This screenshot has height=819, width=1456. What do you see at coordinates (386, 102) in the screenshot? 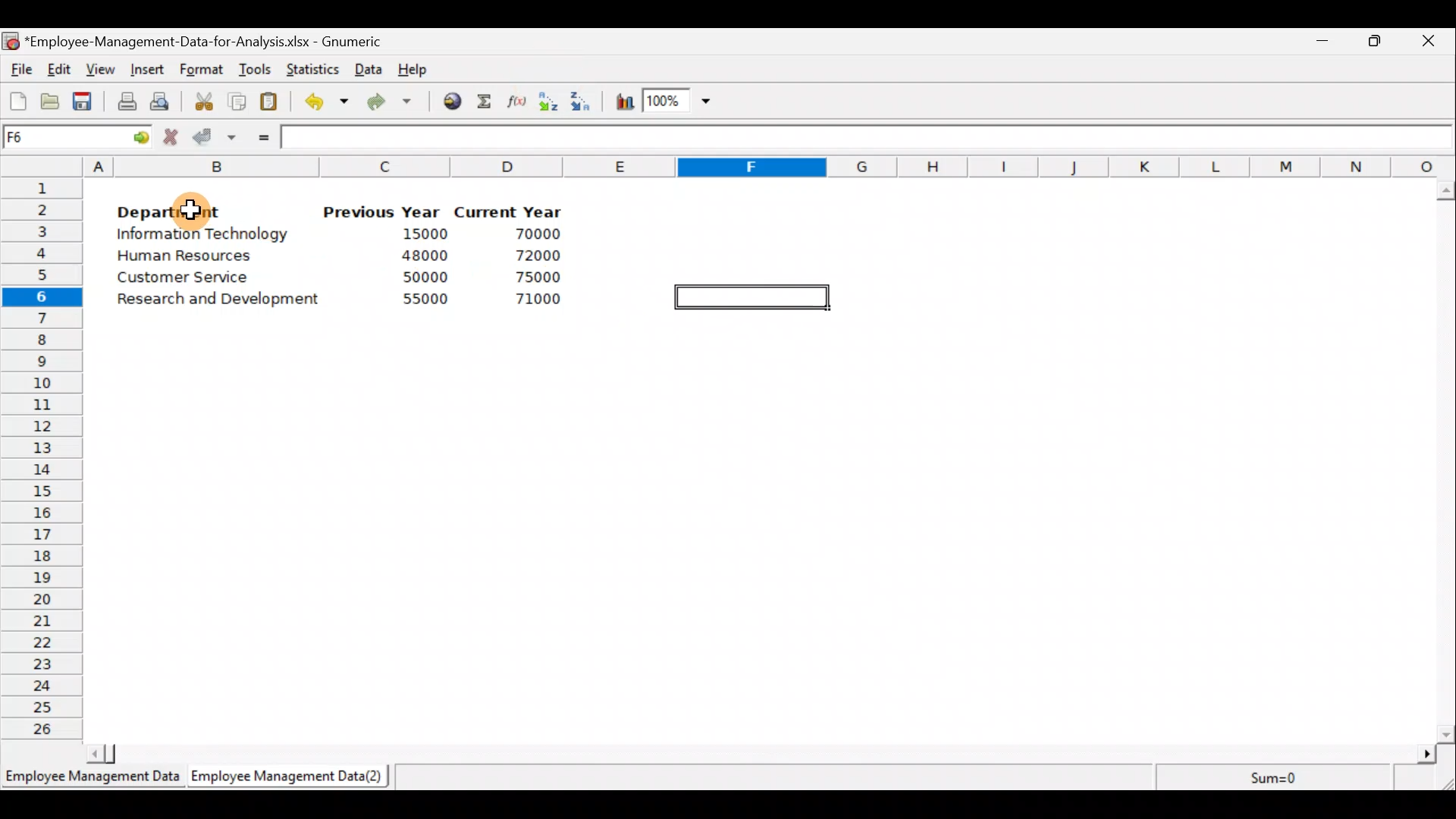
I see `Redo undone action` at bounding box center [386, 102].